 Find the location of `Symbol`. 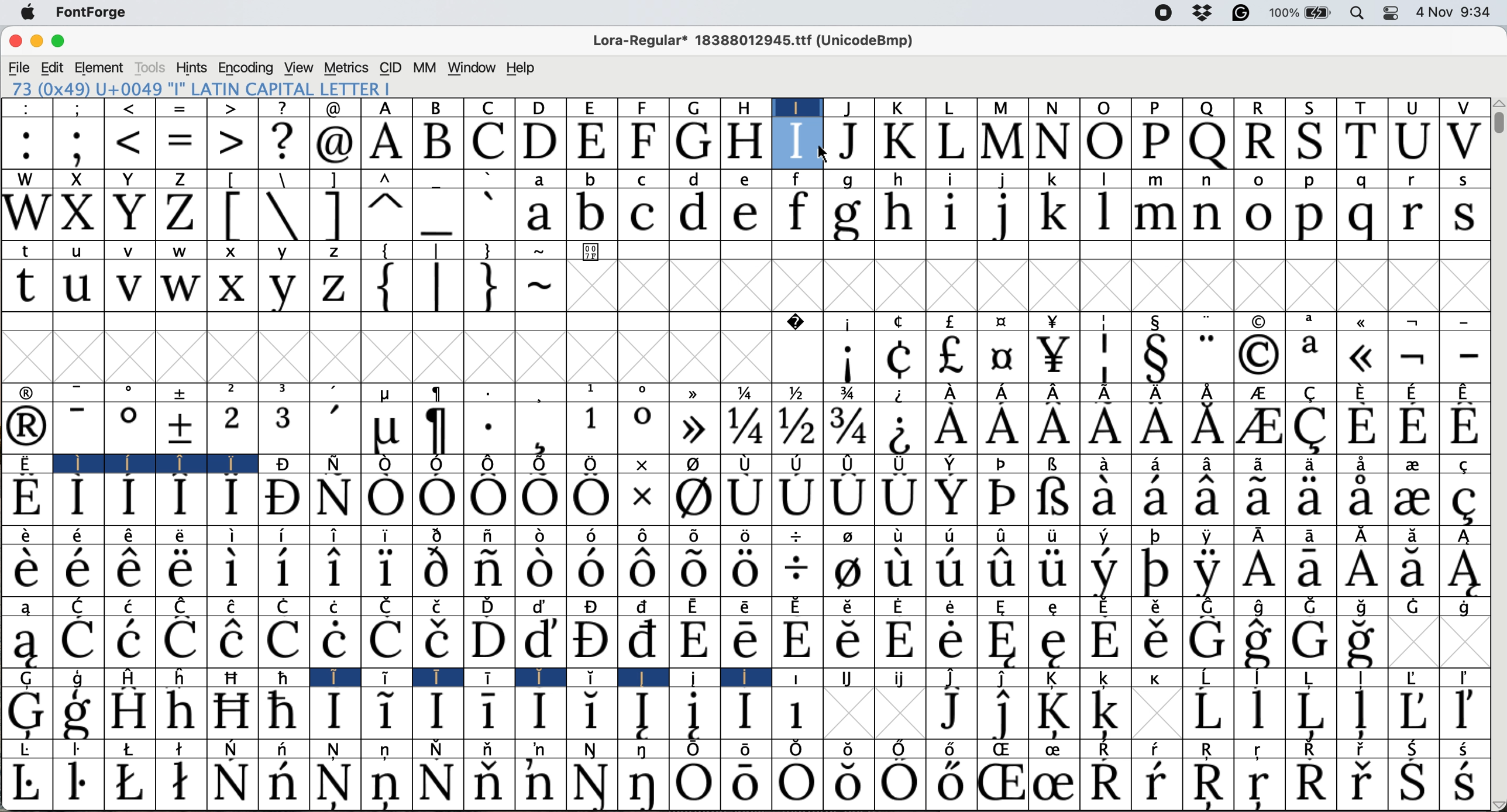

Symbol is located at coordinates (181, 641).